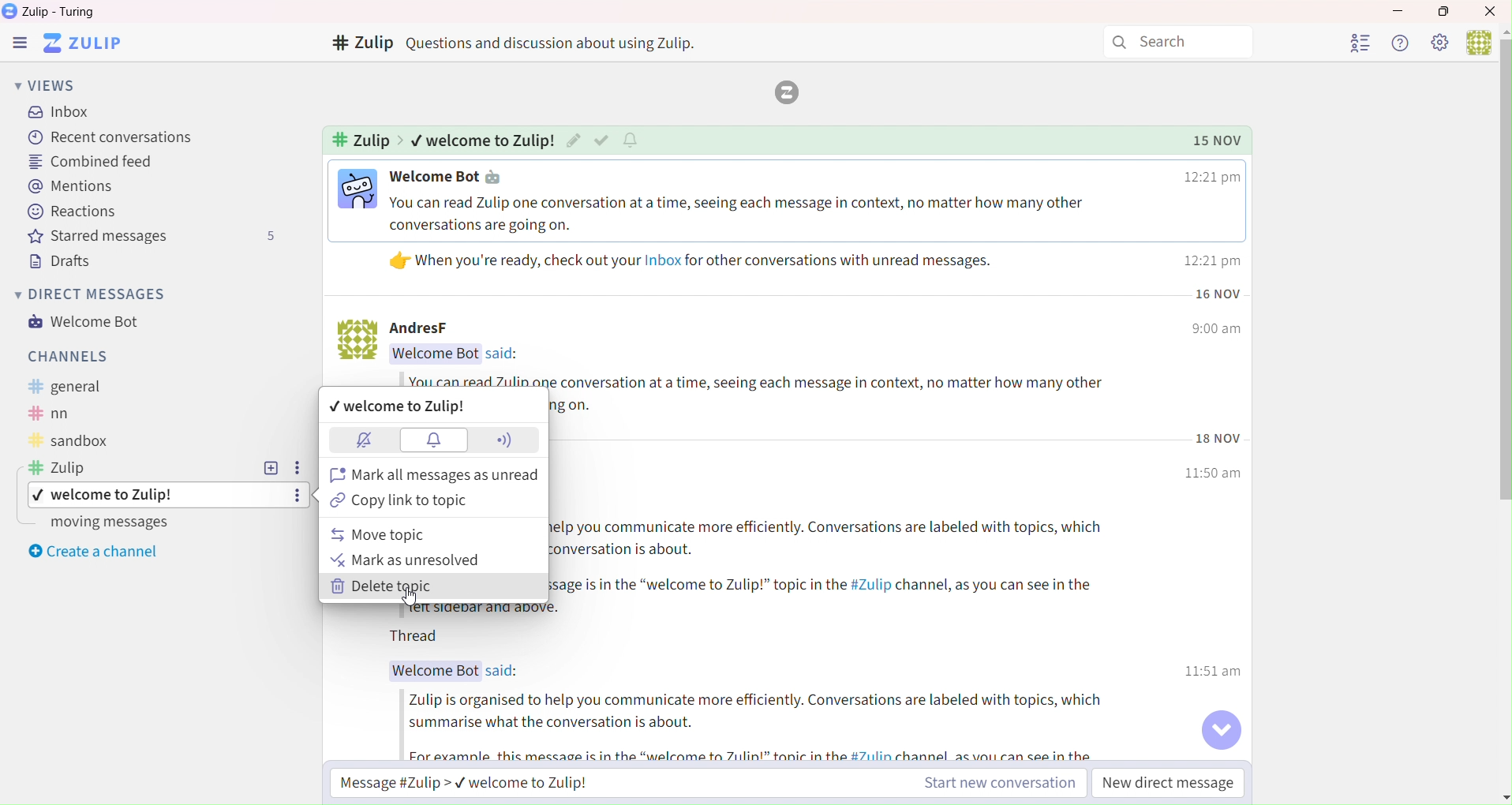 Image resolution: width=1512 pixels, height=805 pixels. Describe the element at coordinates (1169, 783) in the screenshot. I see `New direct message` at that location.